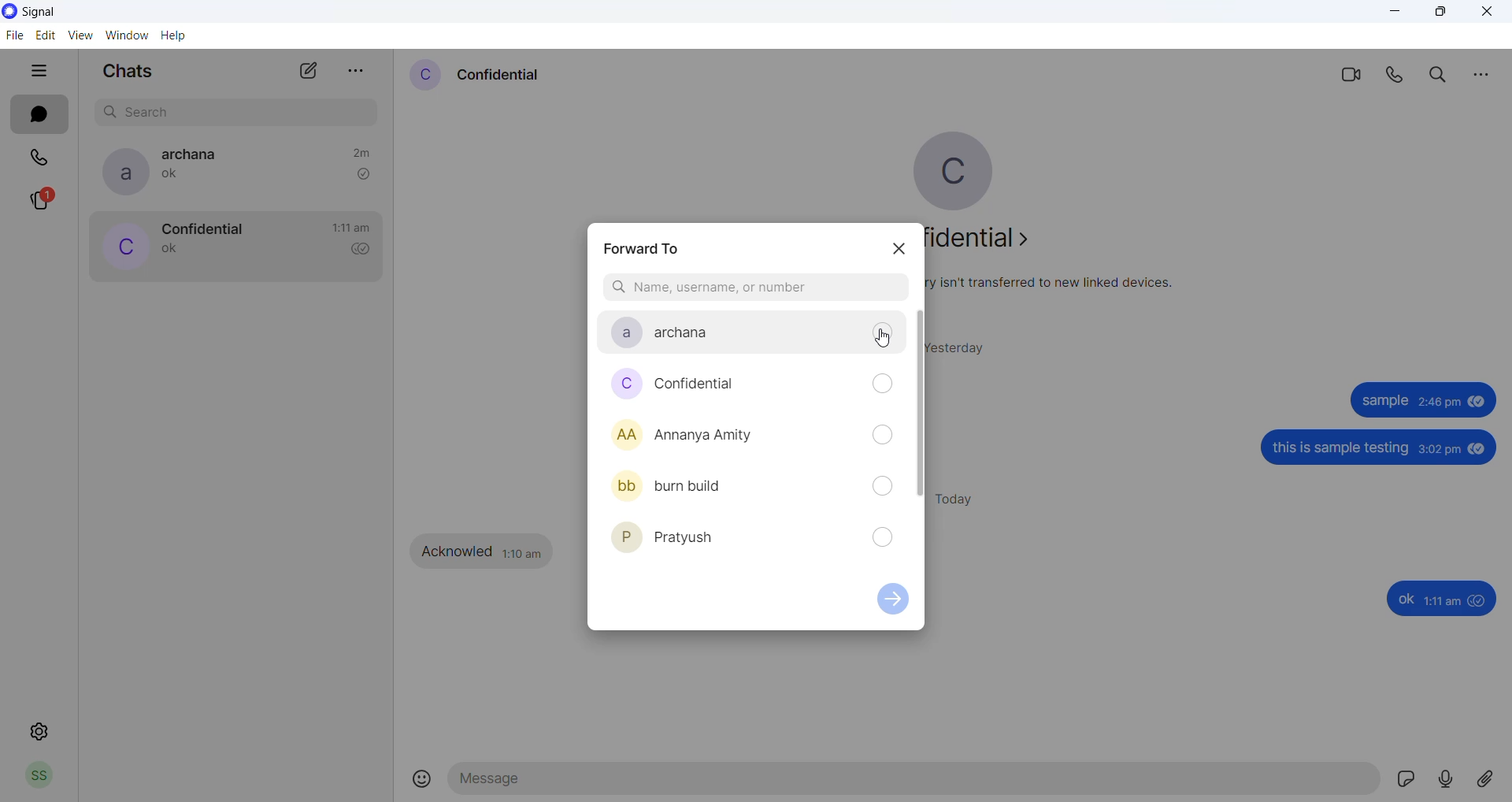 The height and width of the screenshot is (802, 1512). What do you see at coordinates (1060, 284) in the screenshot?
I see `security related text` at bounding box center [1060, 284].